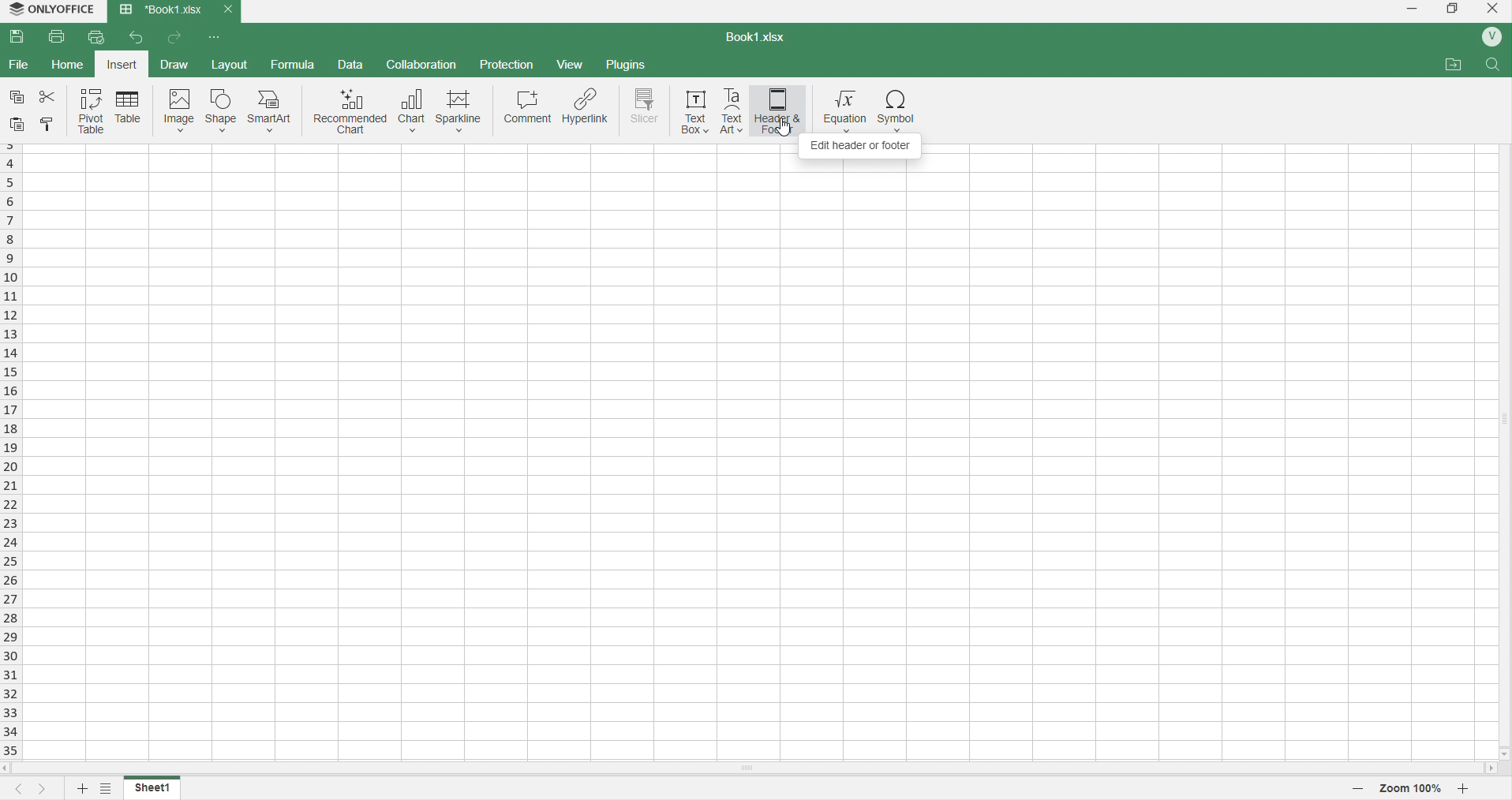 The height and width of the screenshot is (800, 1512). What do you see at coordinates (49, 126) in the screenshot?
I see `cell color` at bounding box center [49, 126].